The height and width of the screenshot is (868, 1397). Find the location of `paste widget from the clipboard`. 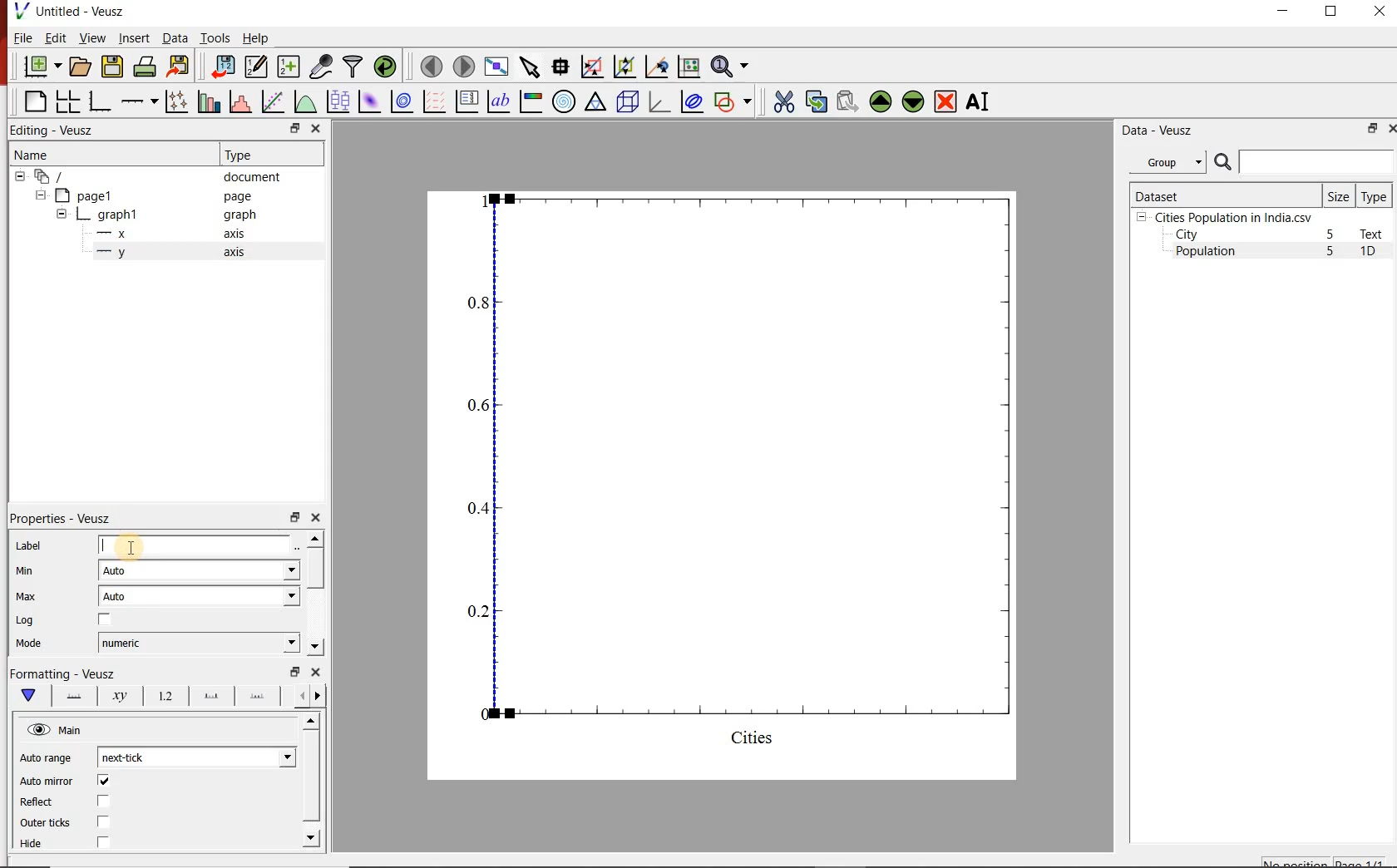

paste widget from the clipboard is located at coordinates (847, 101).